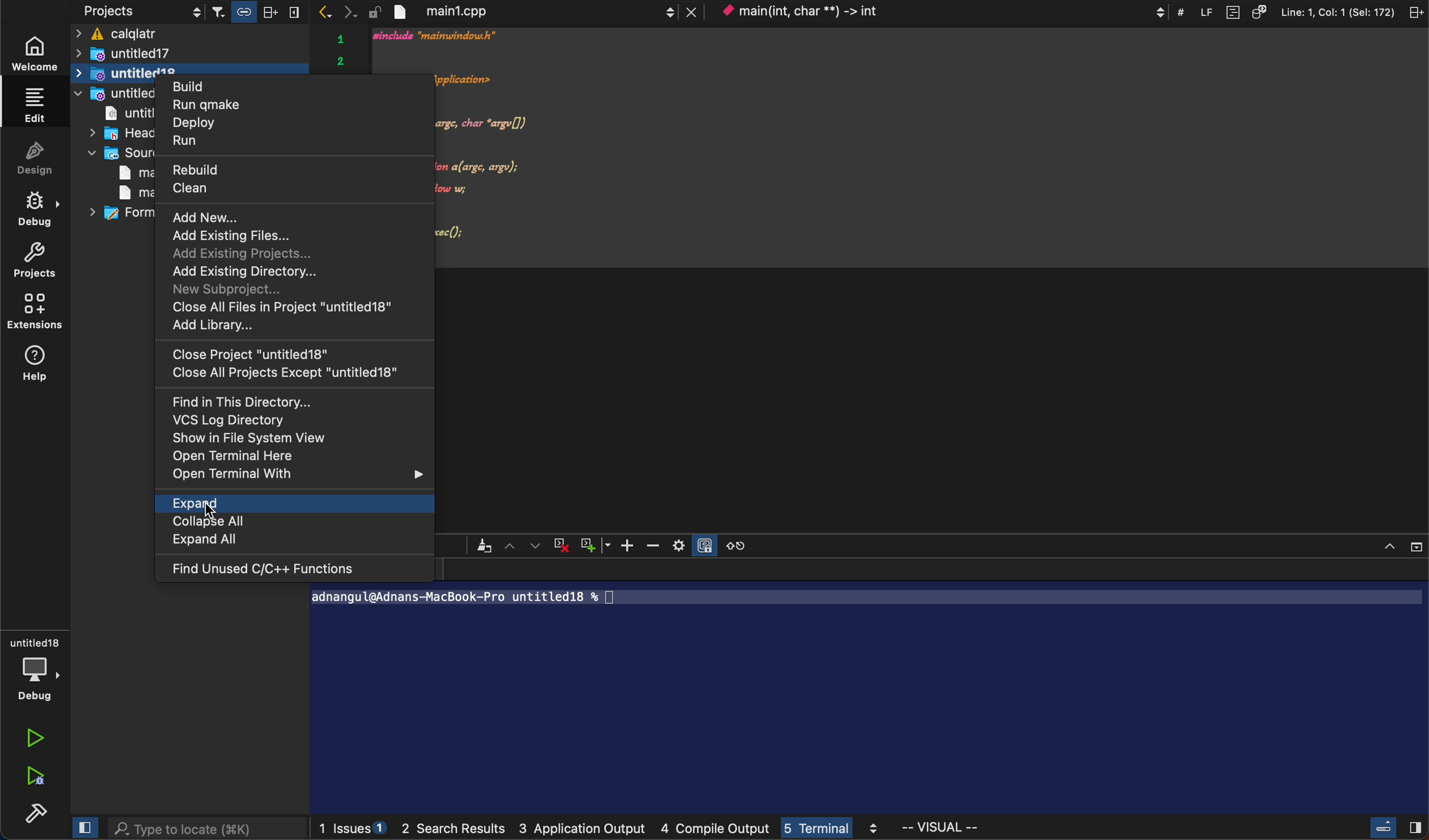 The image size is (1429, 840). Describe the element at coordinates (227, 290) in the screenshot. I see `new` at that location.